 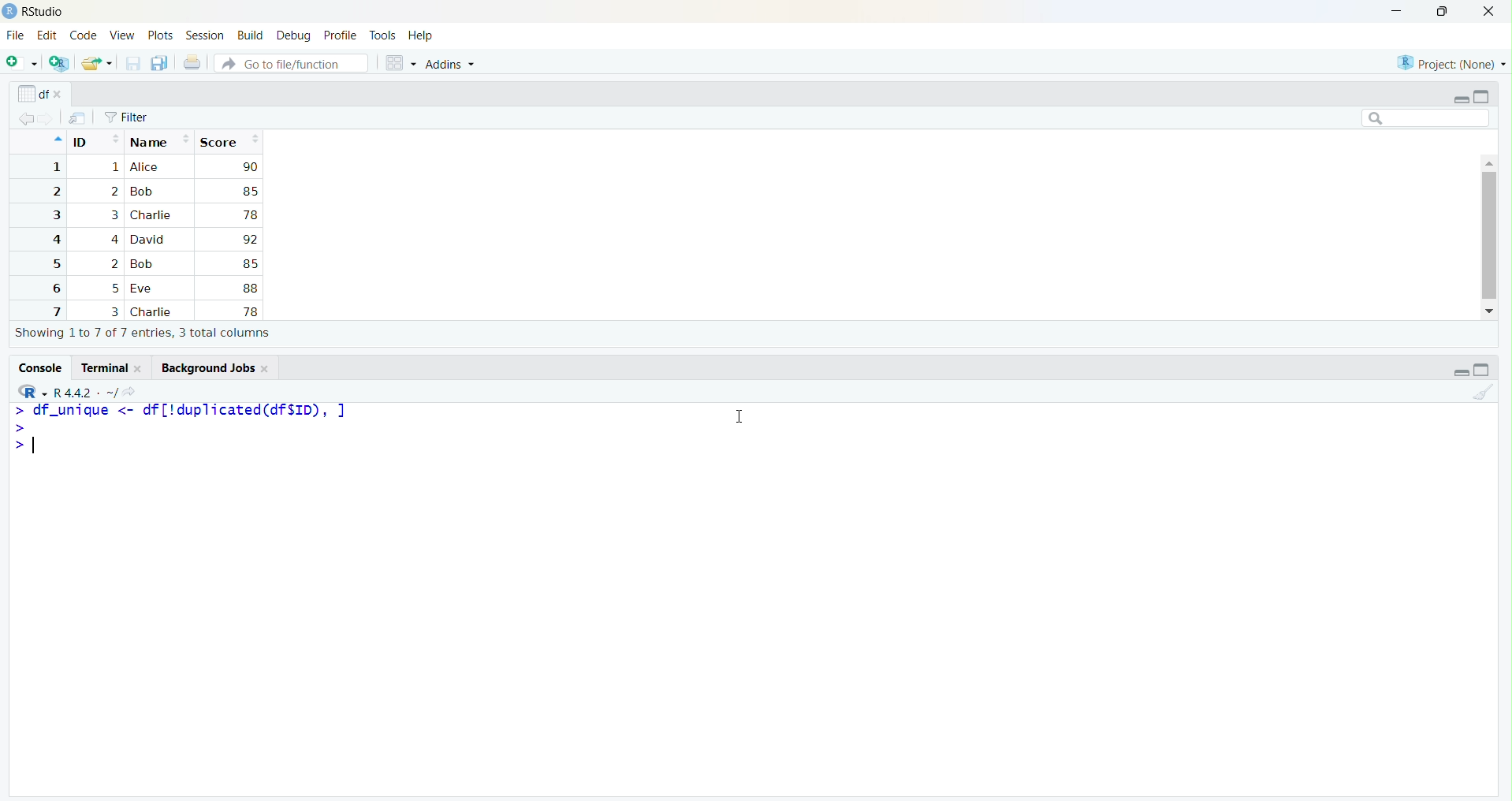 I want to click on Plots, so click(x=161, y=36).